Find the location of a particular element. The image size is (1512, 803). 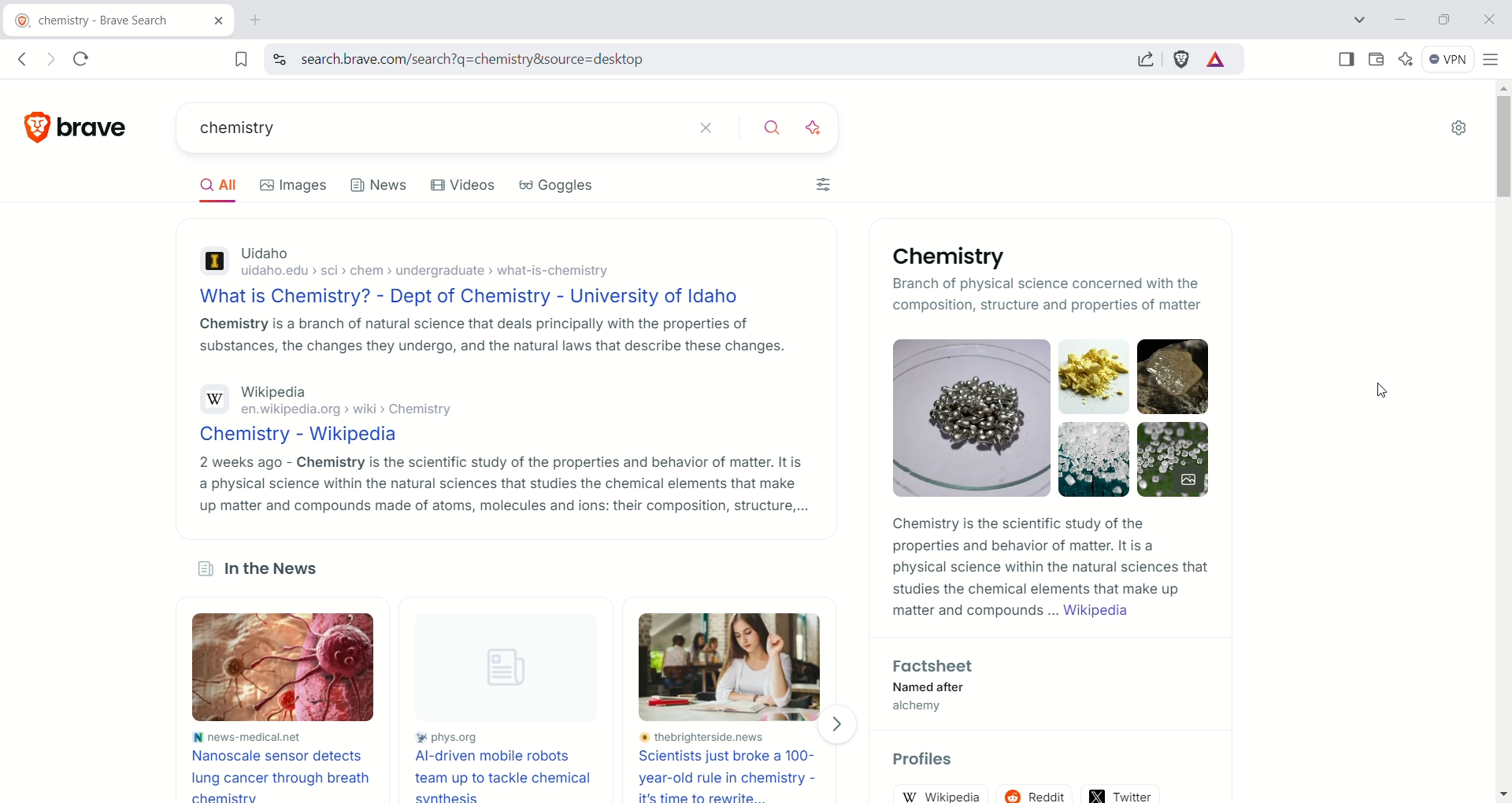

customize and control Brave is located at coordinates (1492, 58).